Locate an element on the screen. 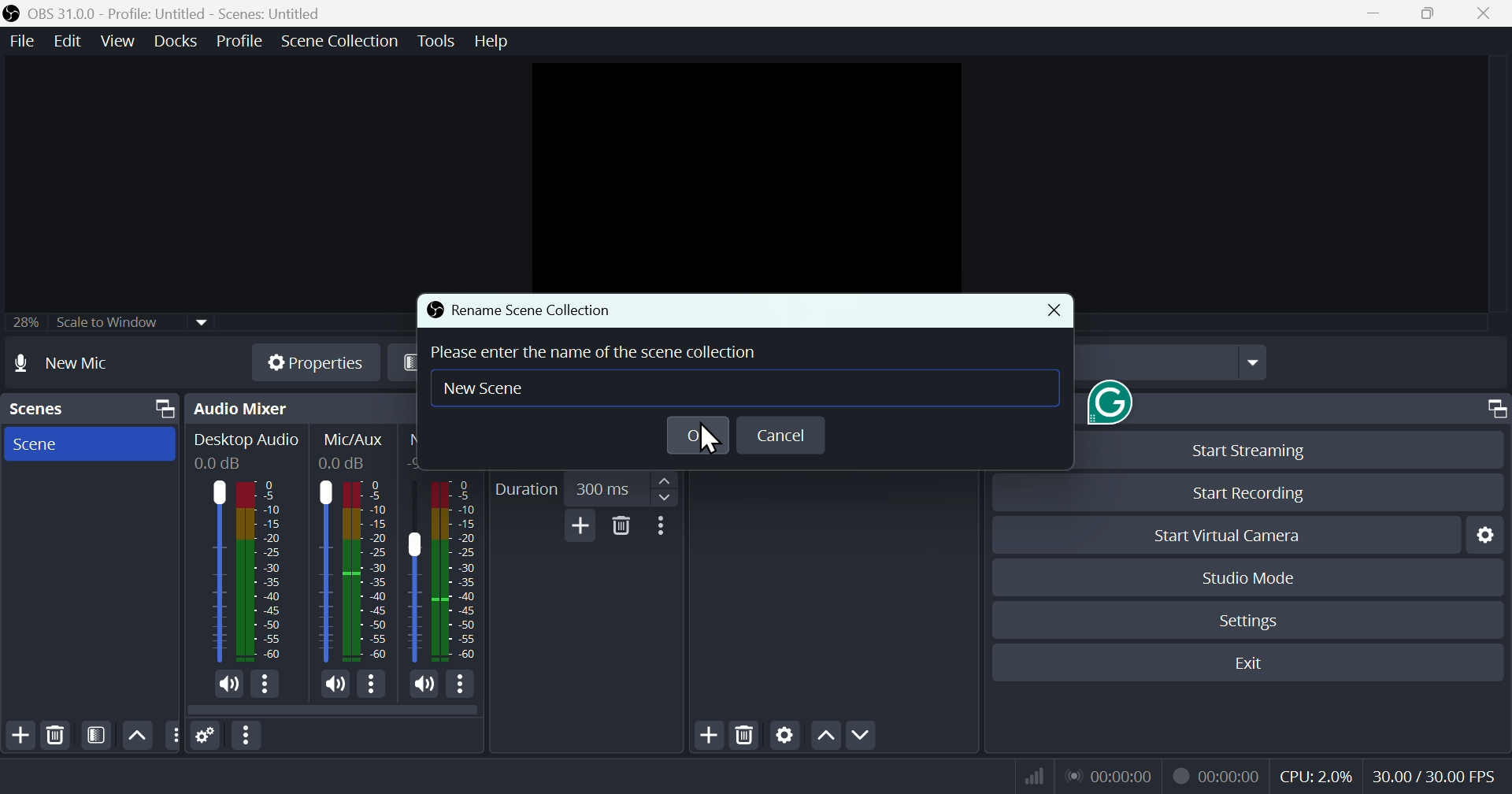  start virtual camera is located at coordinates (1215, 536).